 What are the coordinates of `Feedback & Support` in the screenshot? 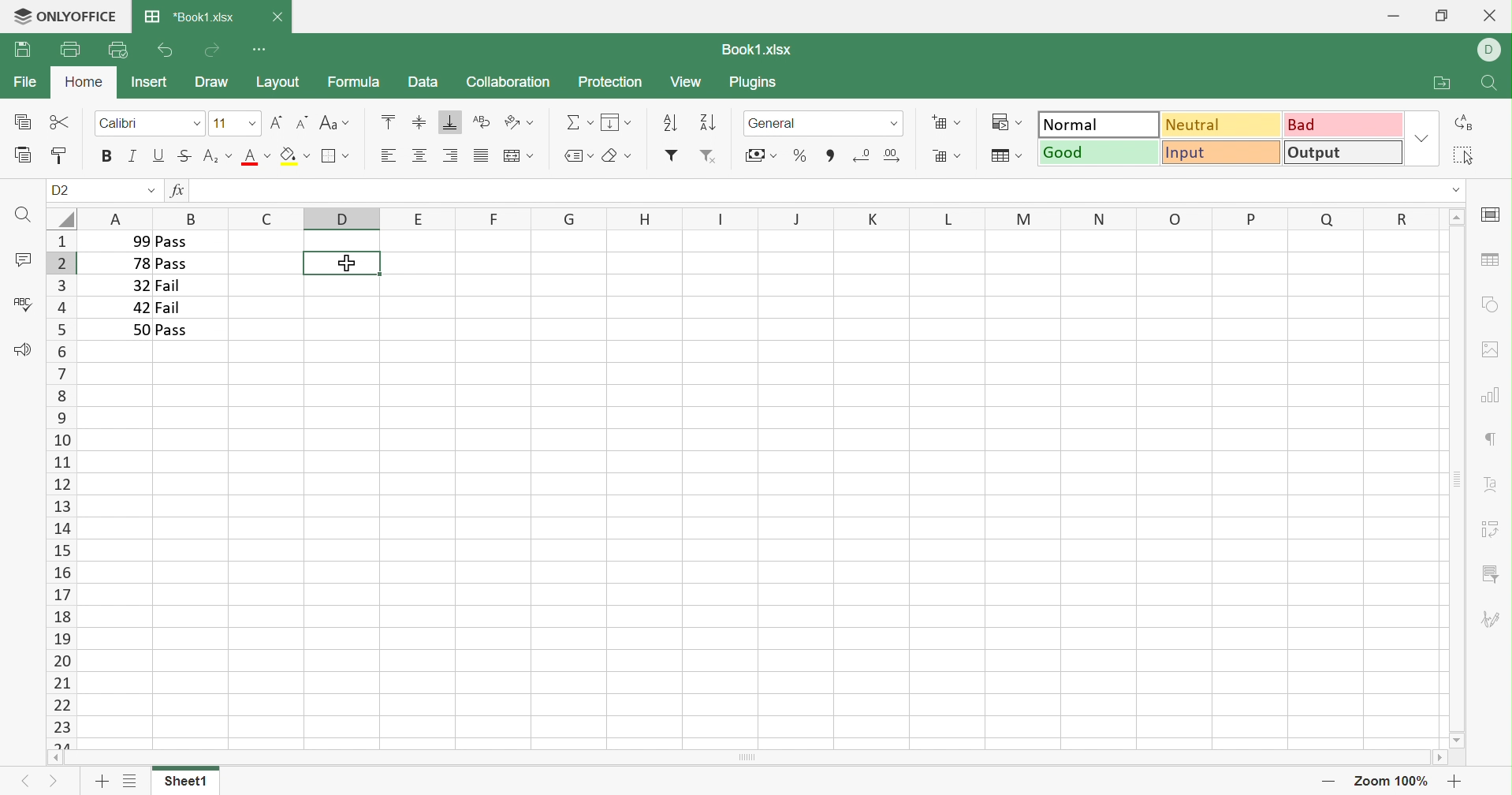 It's located at (21, 349).